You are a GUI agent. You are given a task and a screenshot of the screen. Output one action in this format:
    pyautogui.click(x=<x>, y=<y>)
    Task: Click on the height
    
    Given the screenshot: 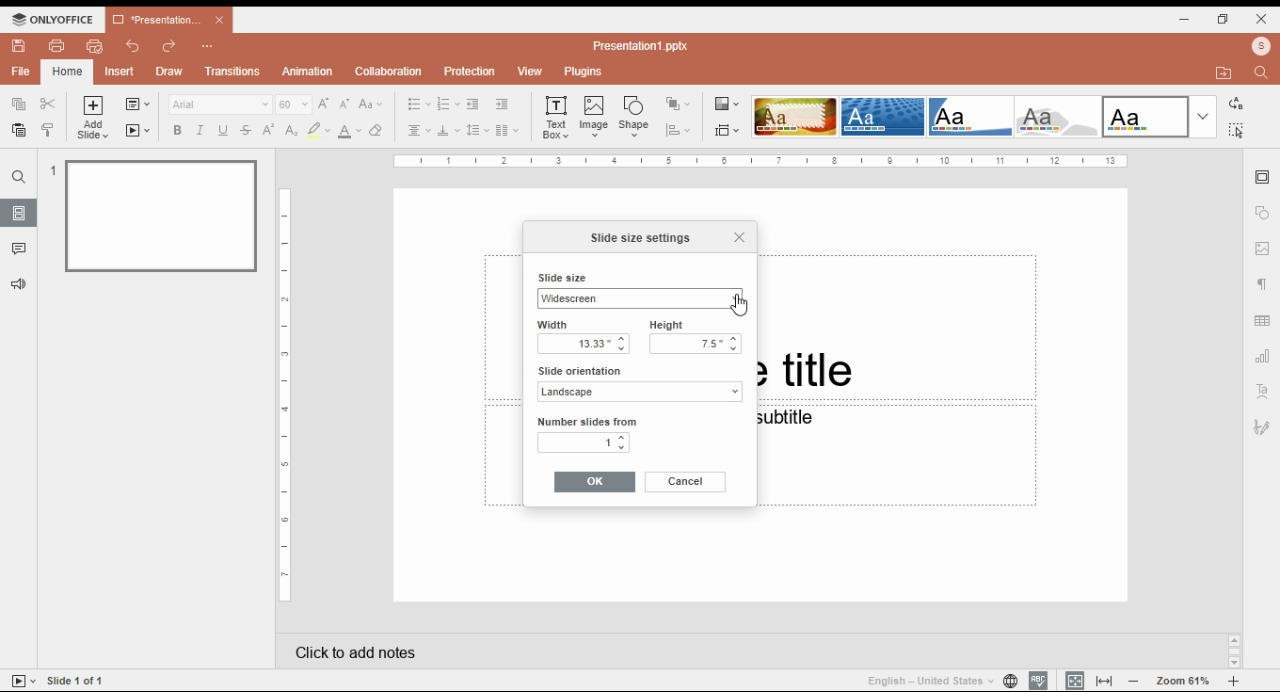 What is the action you would take?
    pyautogui.click(x=695, y=324)
    